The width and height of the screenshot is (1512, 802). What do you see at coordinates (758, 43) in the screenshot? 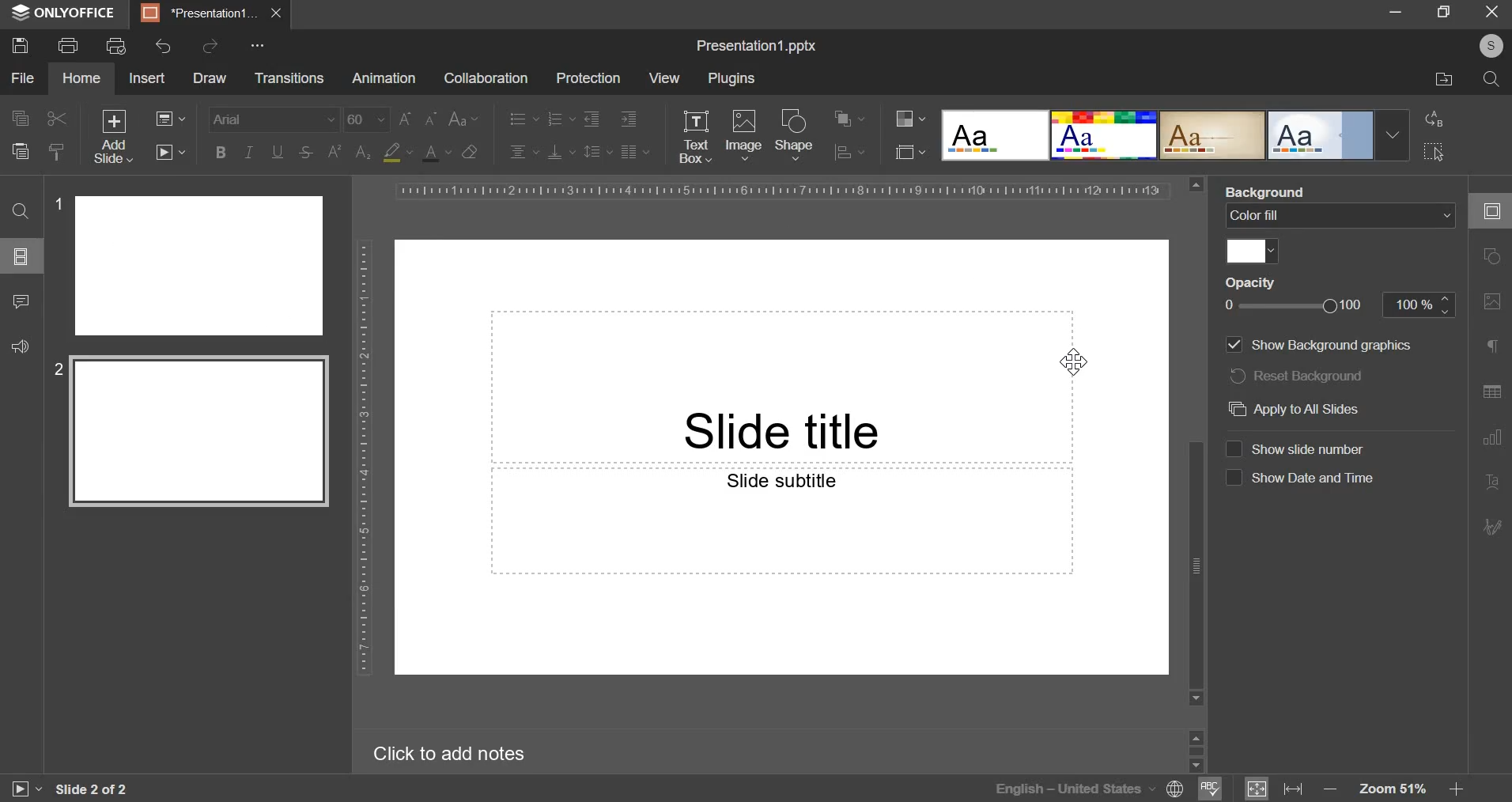
I see `presentation1.pptx` at bounding box center [758, 43].